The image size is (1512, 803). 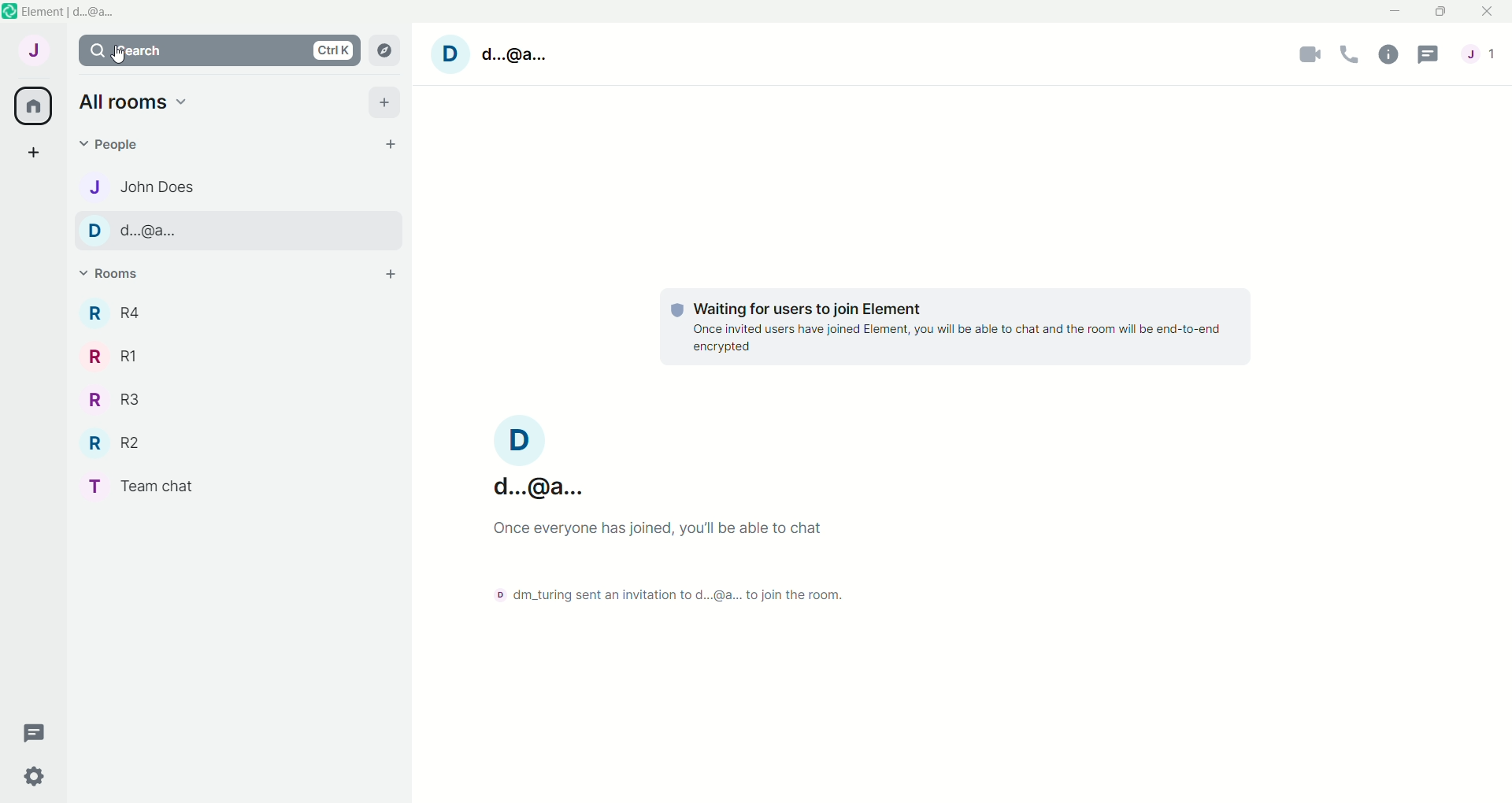 I want to click on thread, so click(x=35, y=733).